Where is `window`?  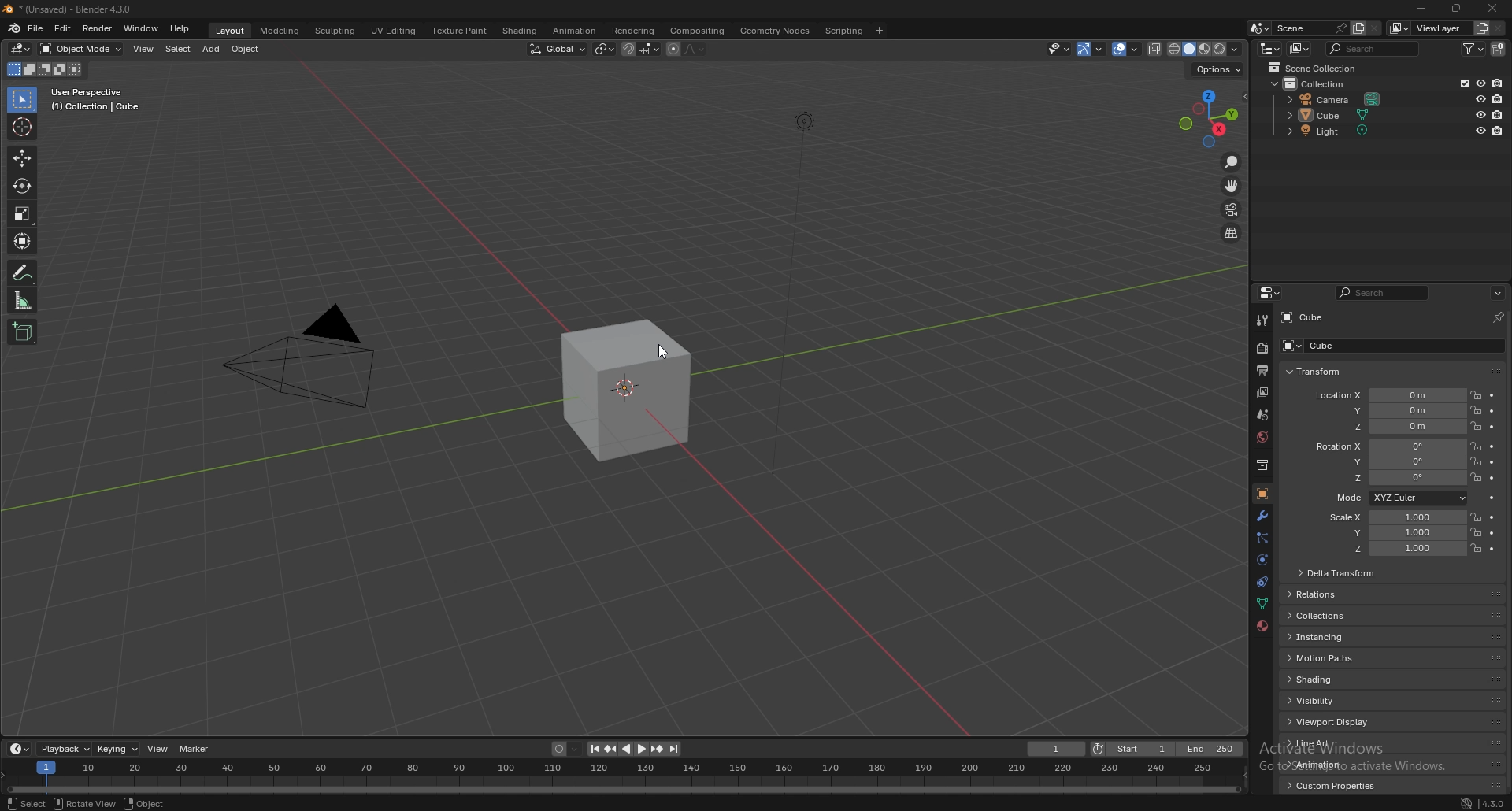
window is located at coordinates (141, 28).